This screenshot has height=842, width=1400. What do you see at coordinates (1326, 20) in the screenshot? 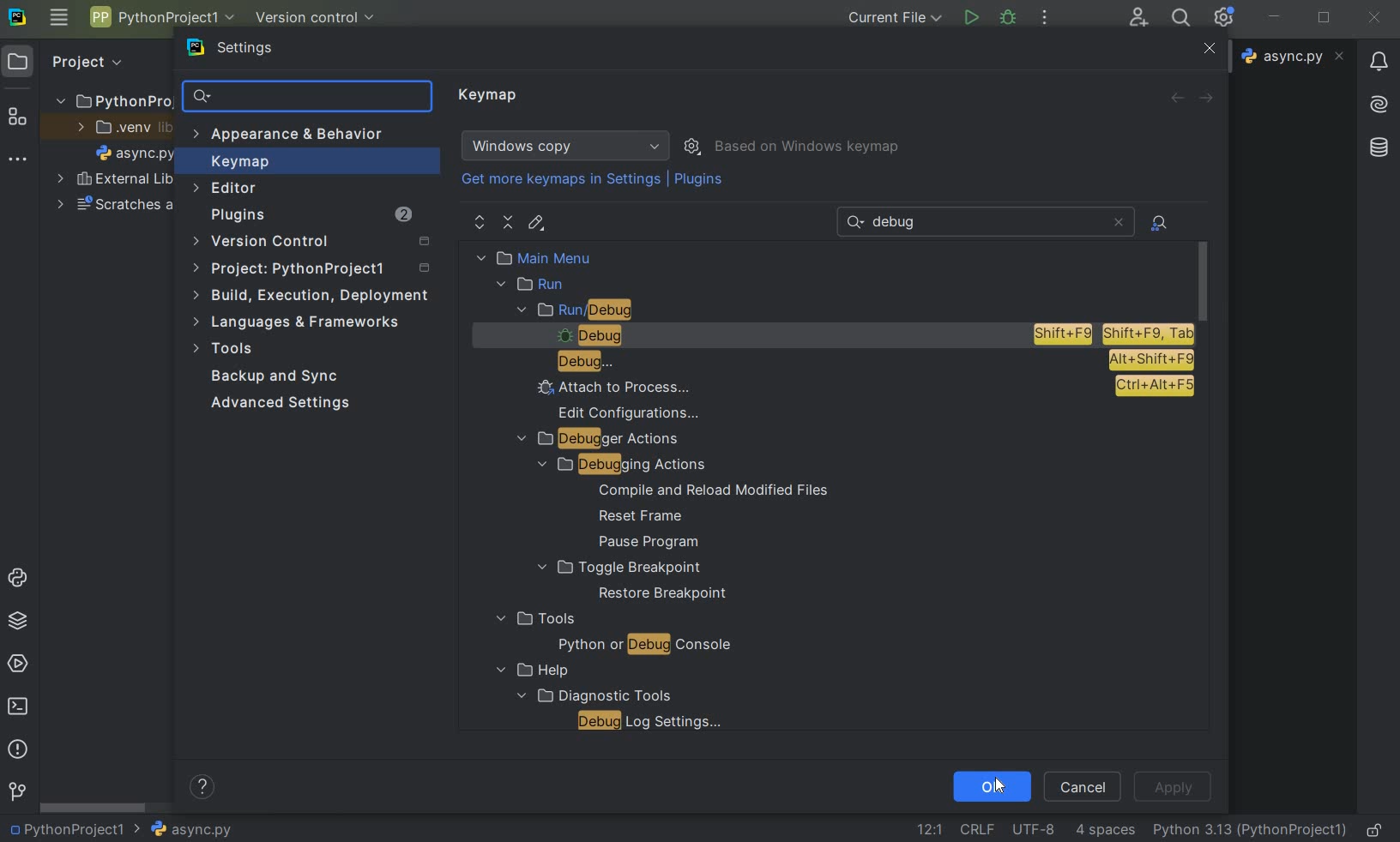
I see `restore down` at bounding box center [1326, 20].